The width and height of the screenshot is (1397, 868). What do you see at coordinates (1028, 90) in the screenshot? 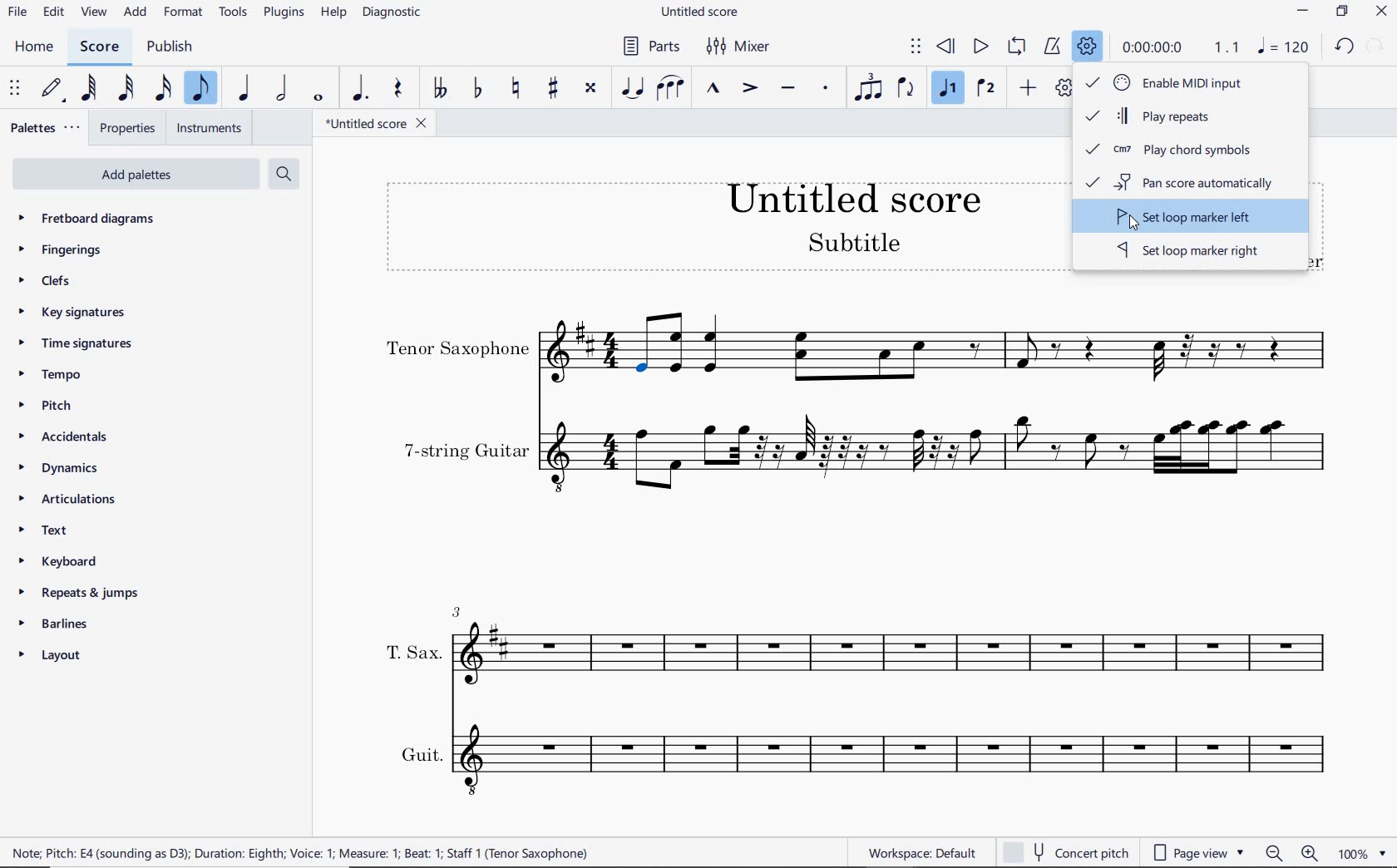
I see `ADD` at bounding box center [1028, 90].